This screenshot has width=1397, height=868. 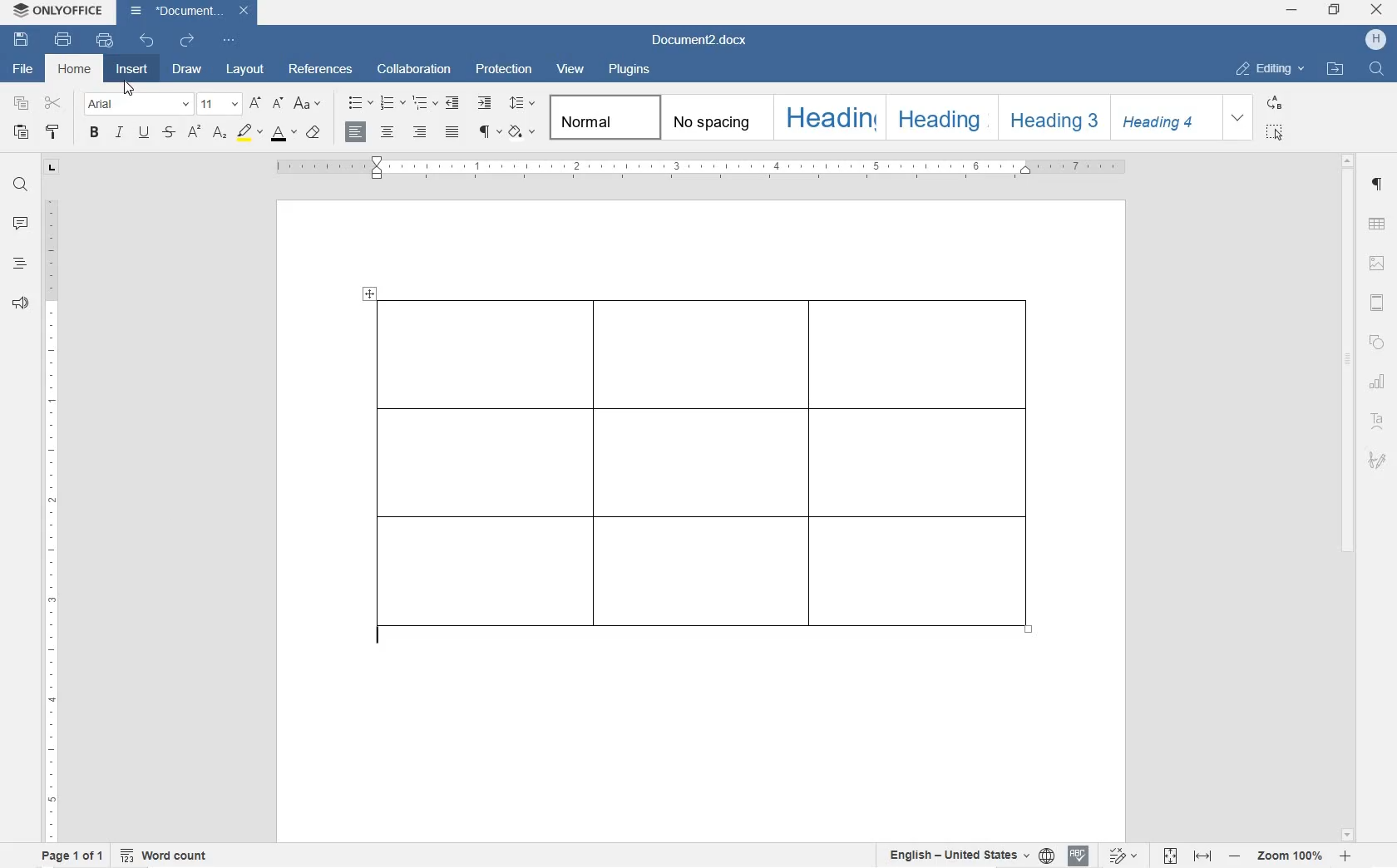 What do you see at coordinates (1079, 857) in the screenshot?
I see `spell check` at bounding box center [1079, 857].